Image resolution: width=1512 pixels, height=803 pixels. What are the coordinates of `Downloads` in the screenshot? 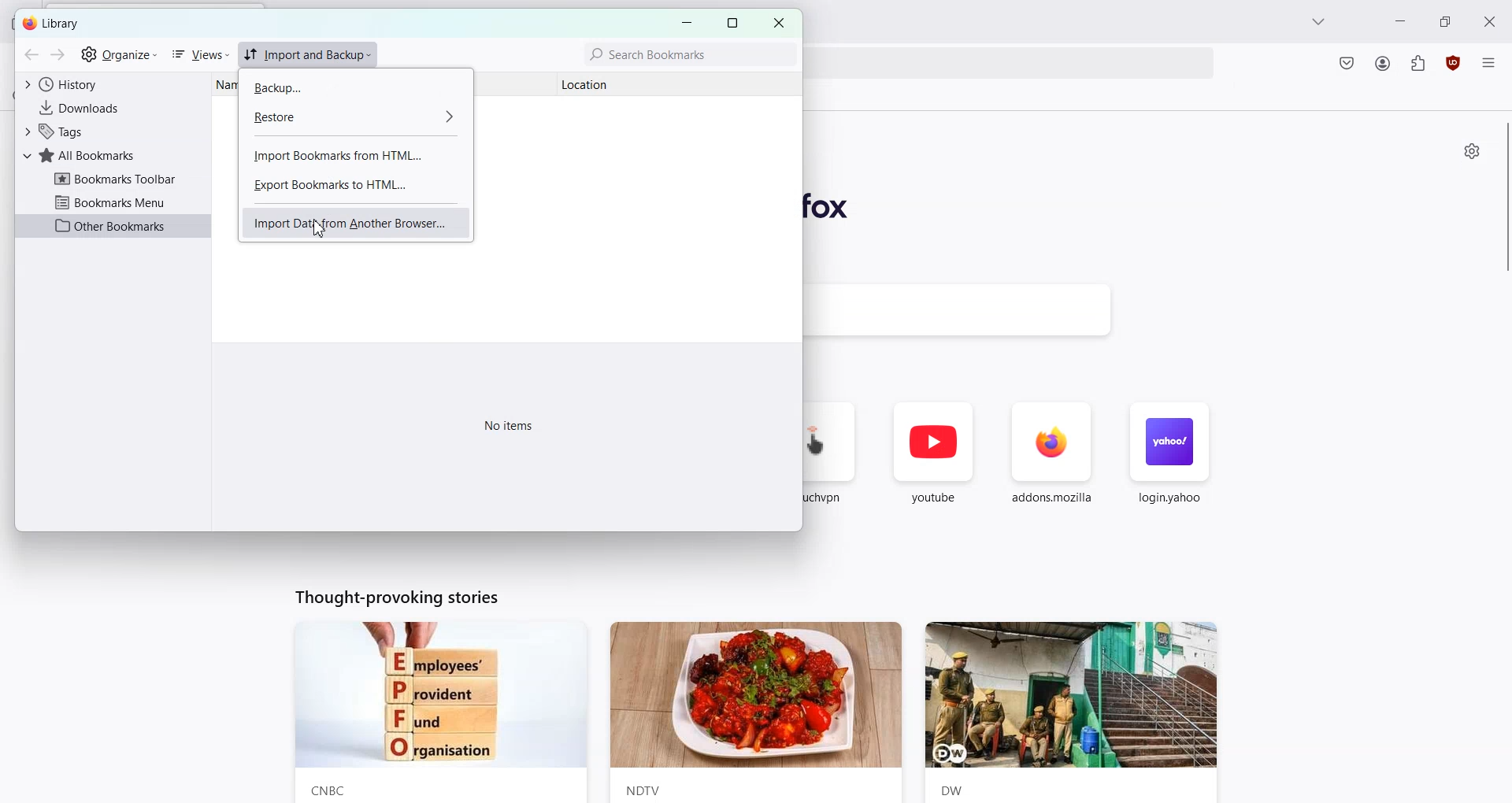 It's located at (110, 109).